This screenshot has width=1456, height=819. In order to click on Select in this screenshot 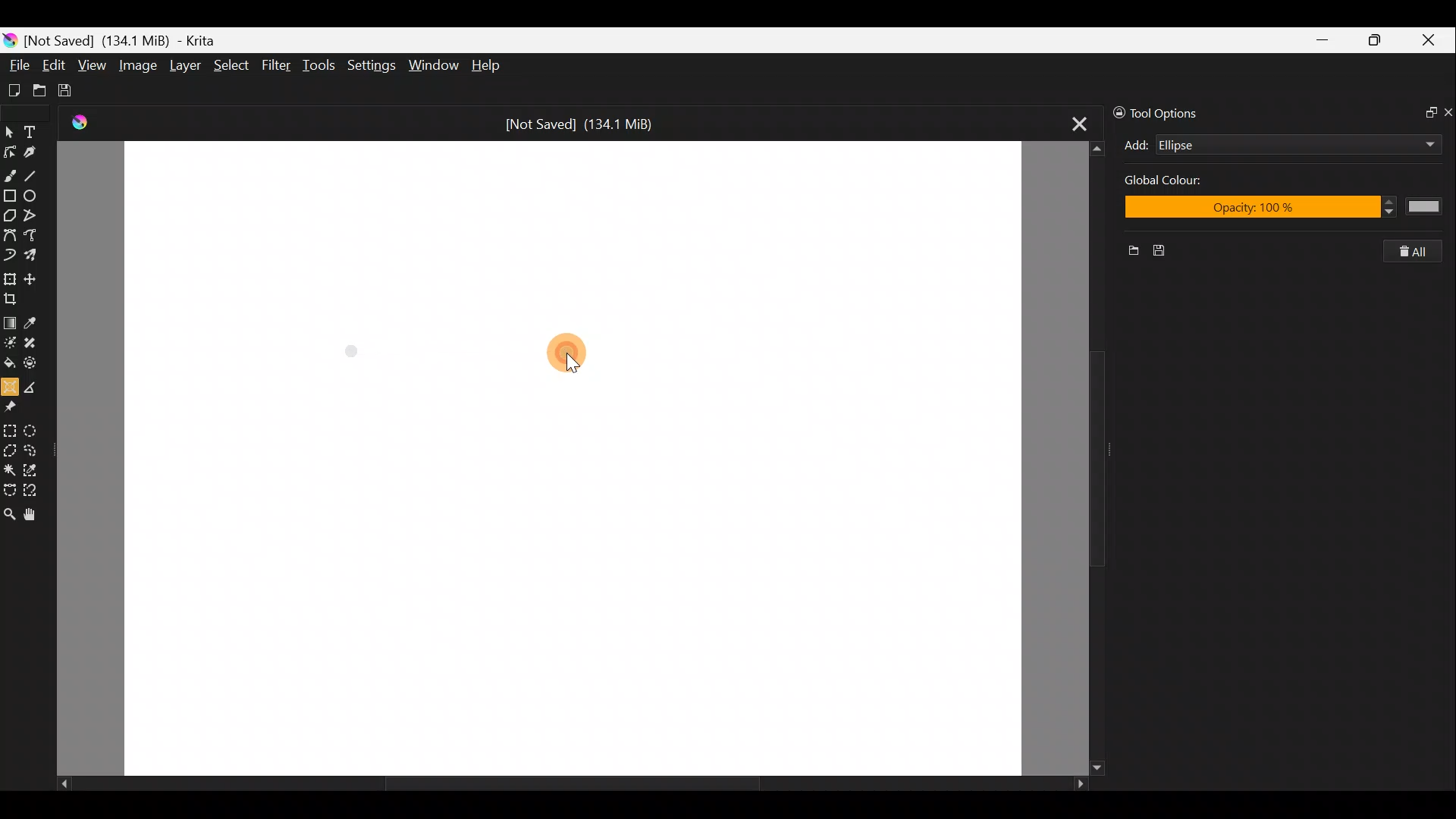, I will do `click(231, 69)`.